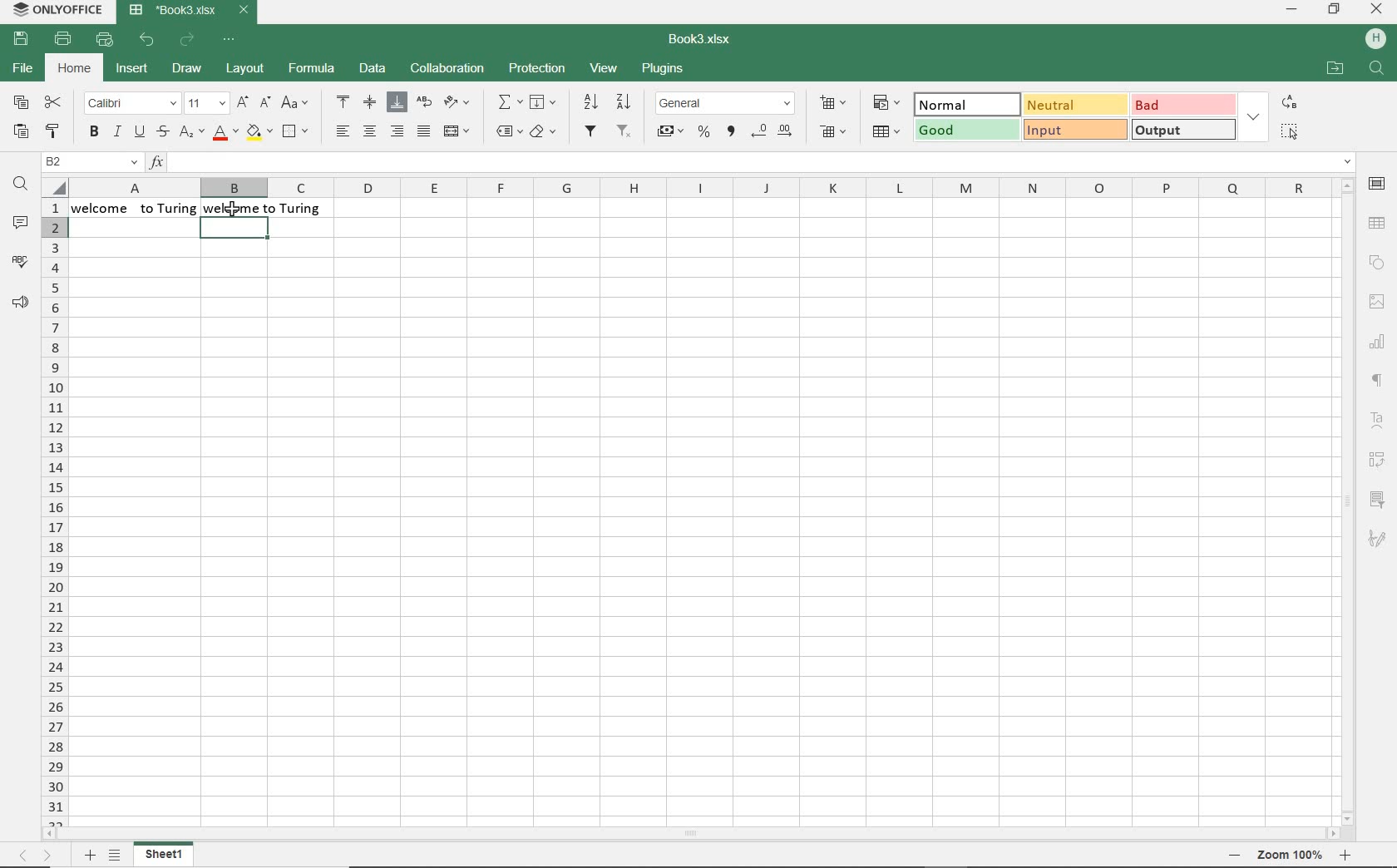 Image resolution: width=1397 pixels, height=868 pixels. I want to click on text, so click(133, 215).